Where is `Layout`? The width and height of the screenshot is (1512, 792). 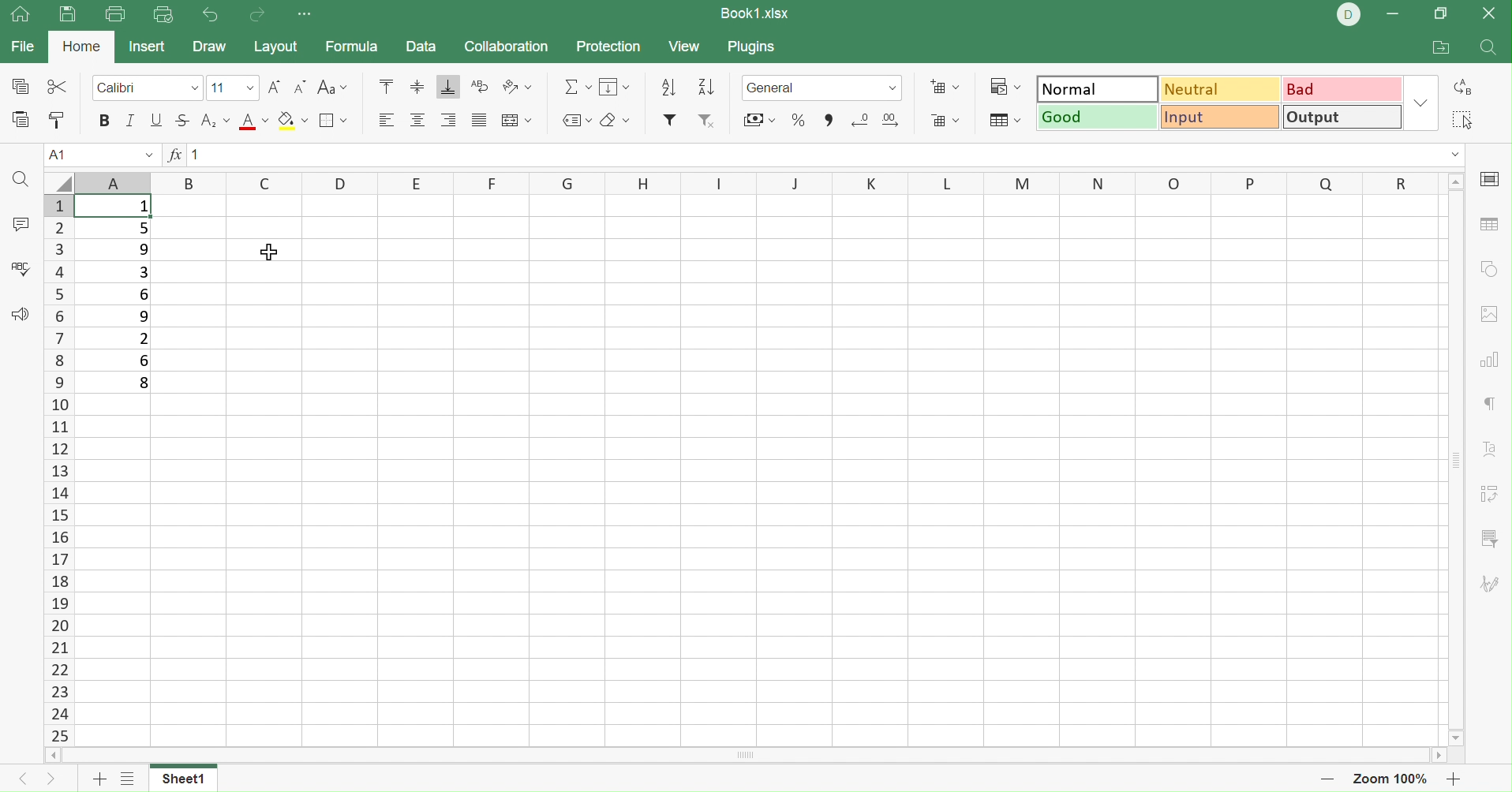
Layout is located at coordinates (275, 47).